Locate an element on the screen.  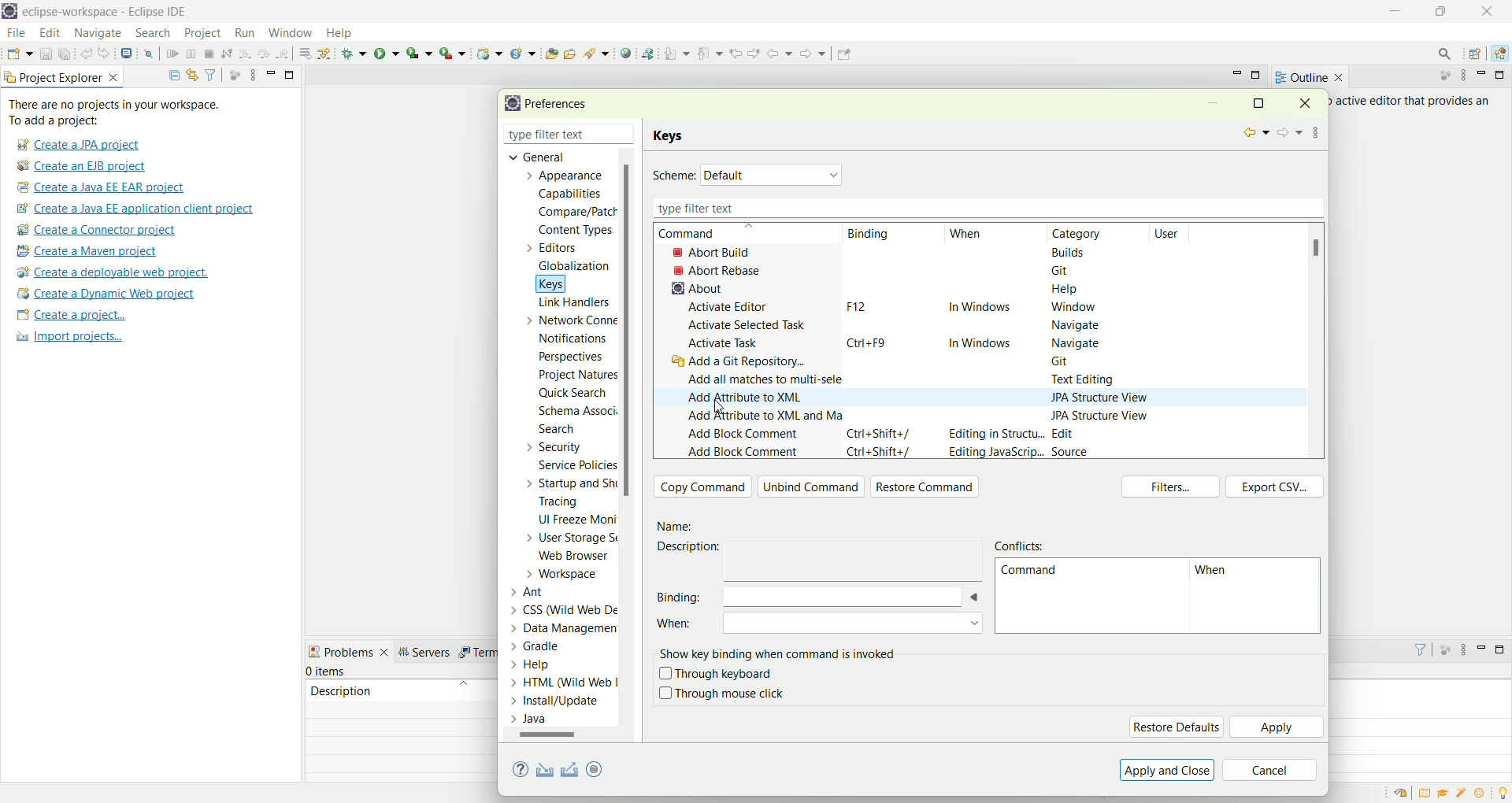
startup and shutdown is located at coordinates (574, 483).